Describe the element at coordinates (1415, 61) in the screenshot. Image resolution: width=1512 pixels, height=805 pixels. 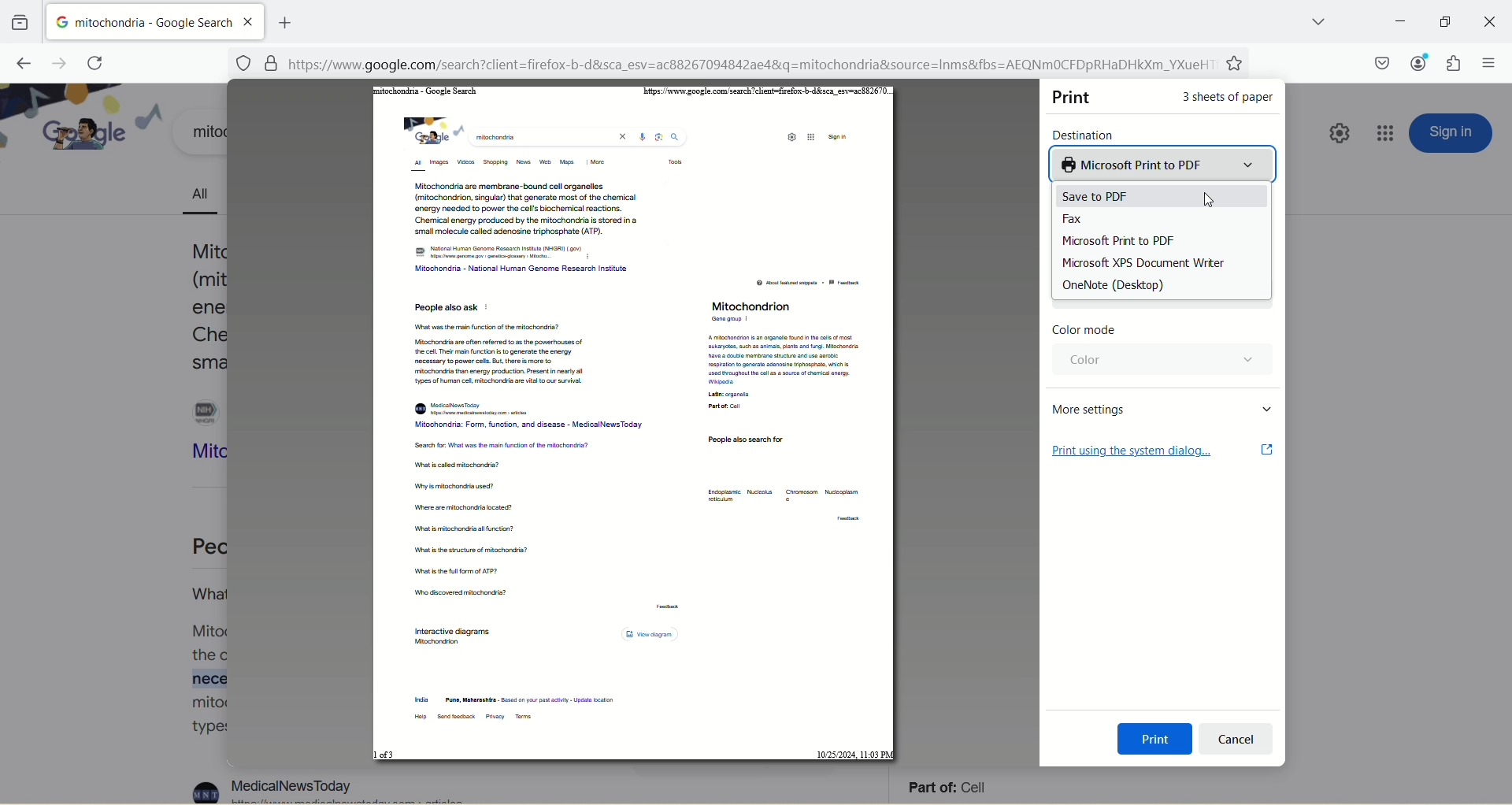
I see `account` at that location.